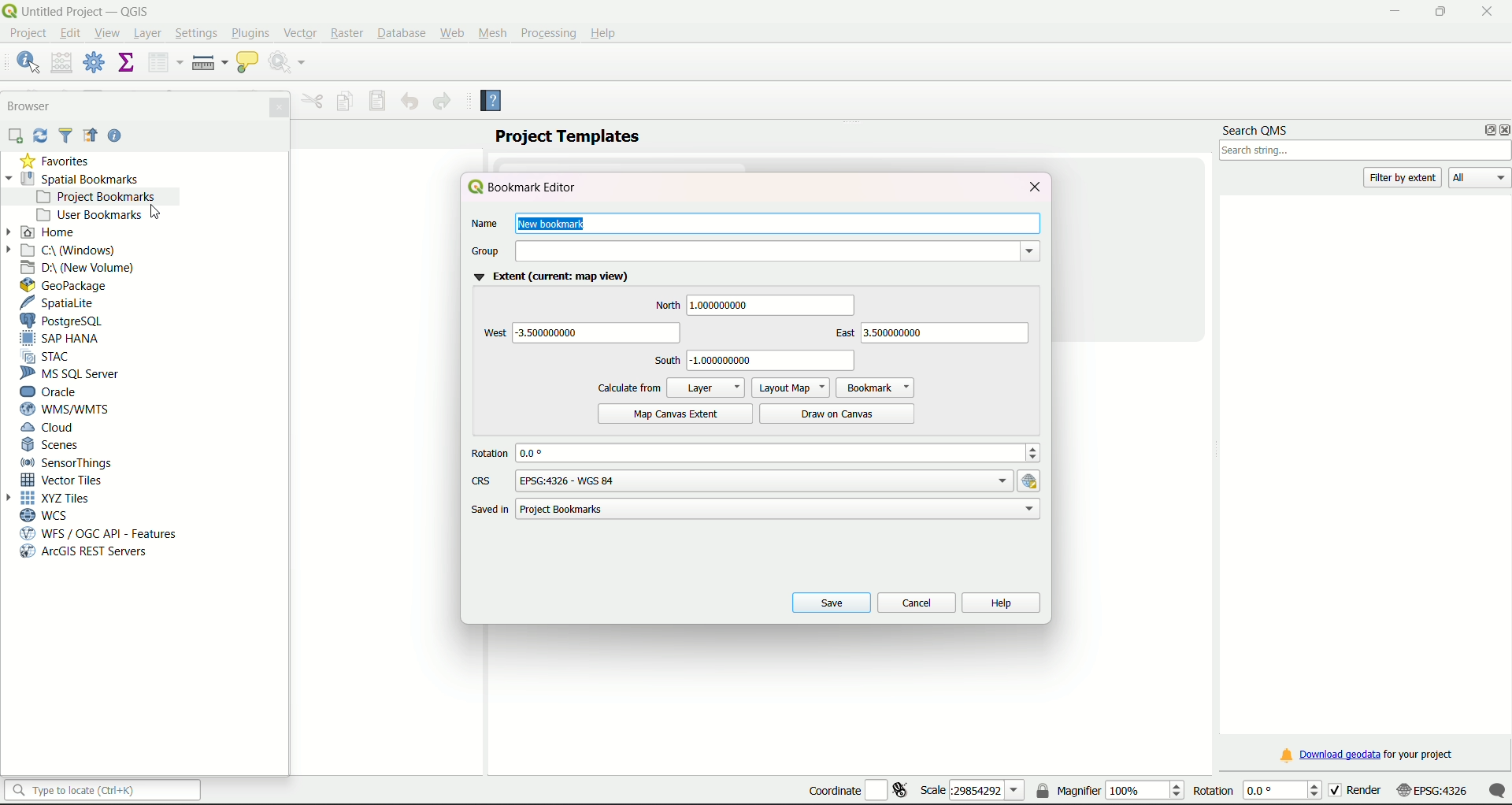 The image size is (1512, 805). Describe the element at coordinates (90, 136) in the screenshot. I see `Icon` at that location.